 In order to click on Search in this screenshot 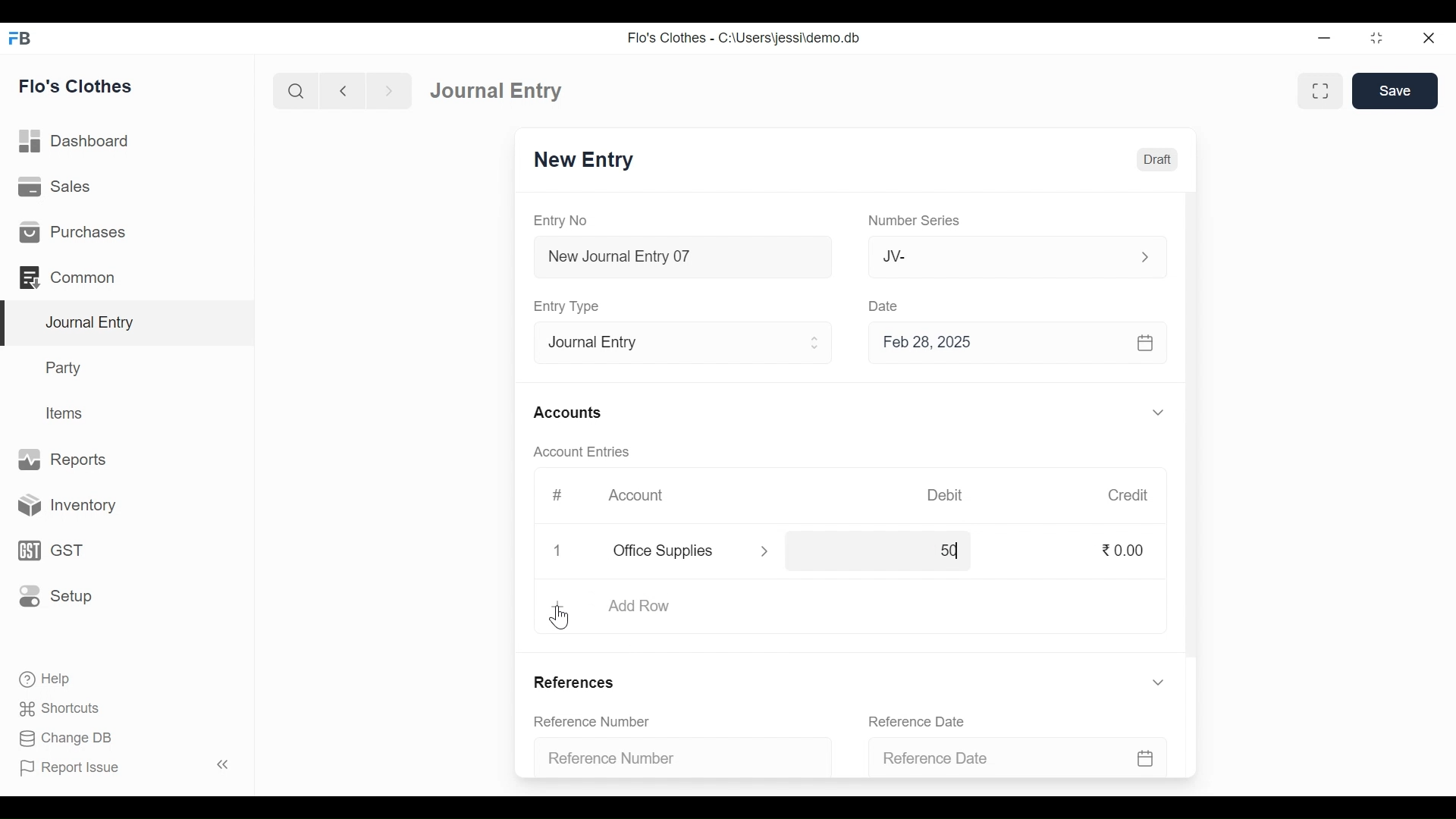, I will do `click(296, 92)`.